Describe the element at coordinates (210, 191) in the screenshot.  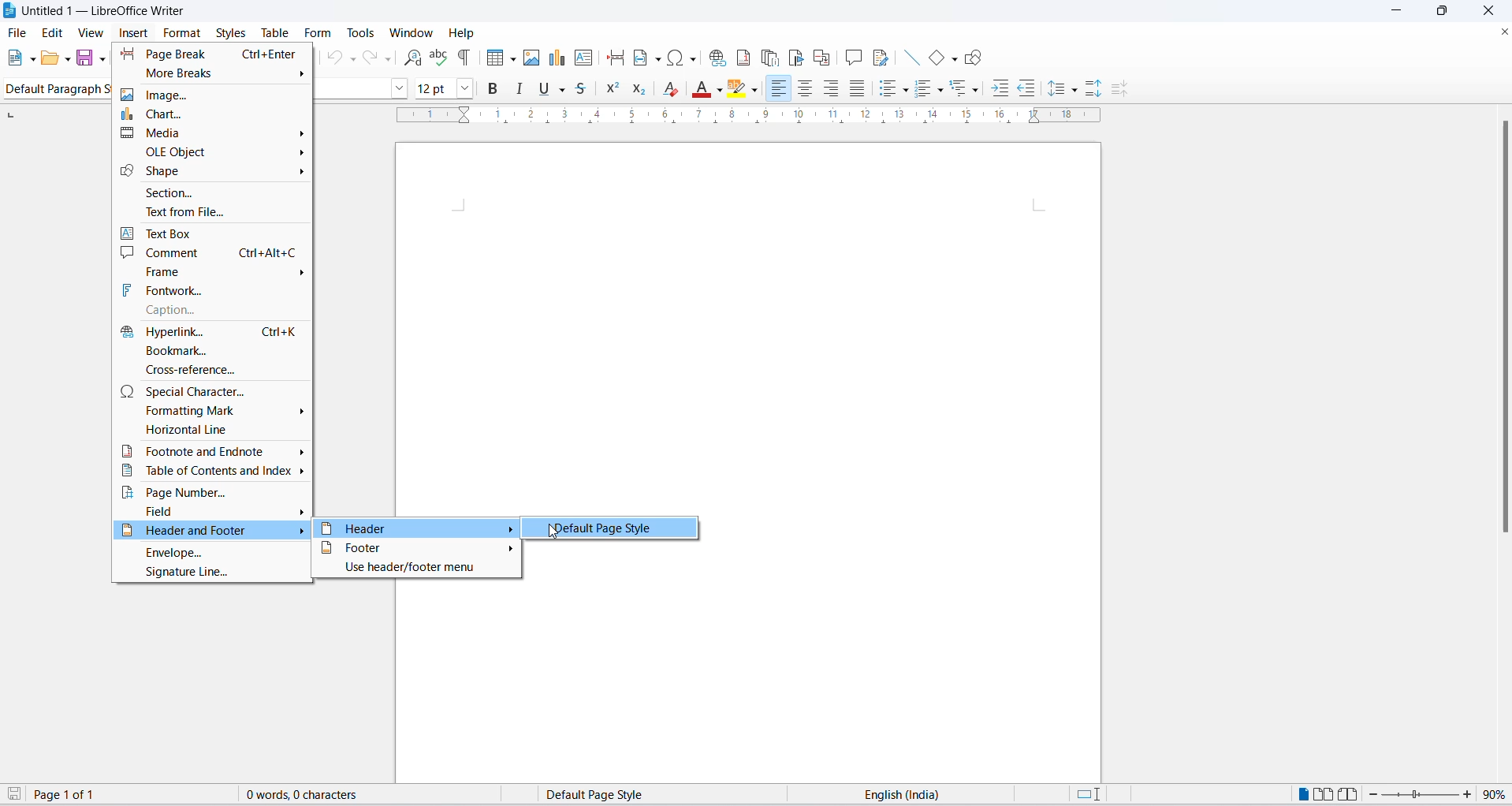
I see `SECTION` at that location.